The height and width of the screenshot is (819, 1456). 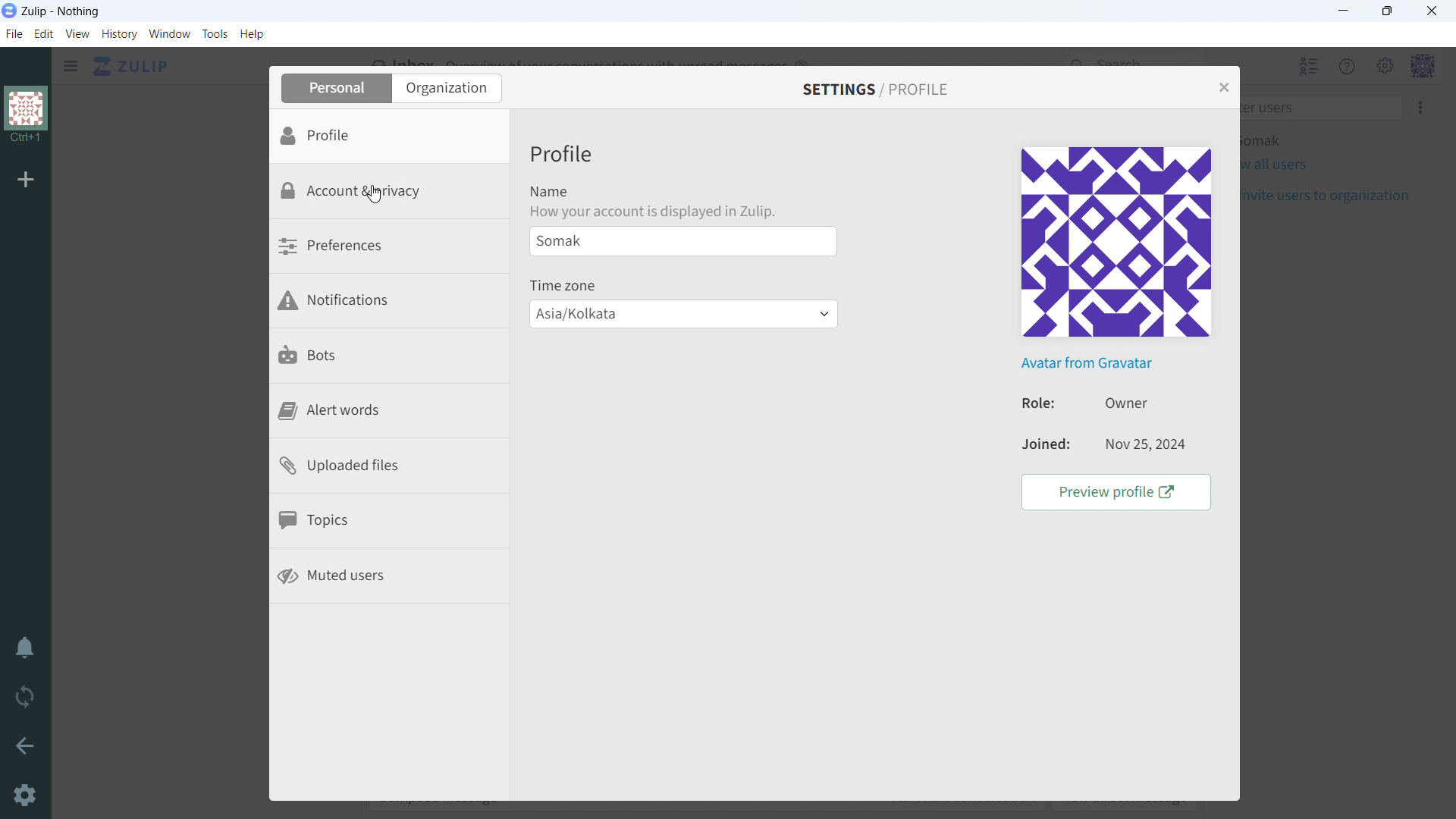 I want to click on topics, so click(x=390, y=523).